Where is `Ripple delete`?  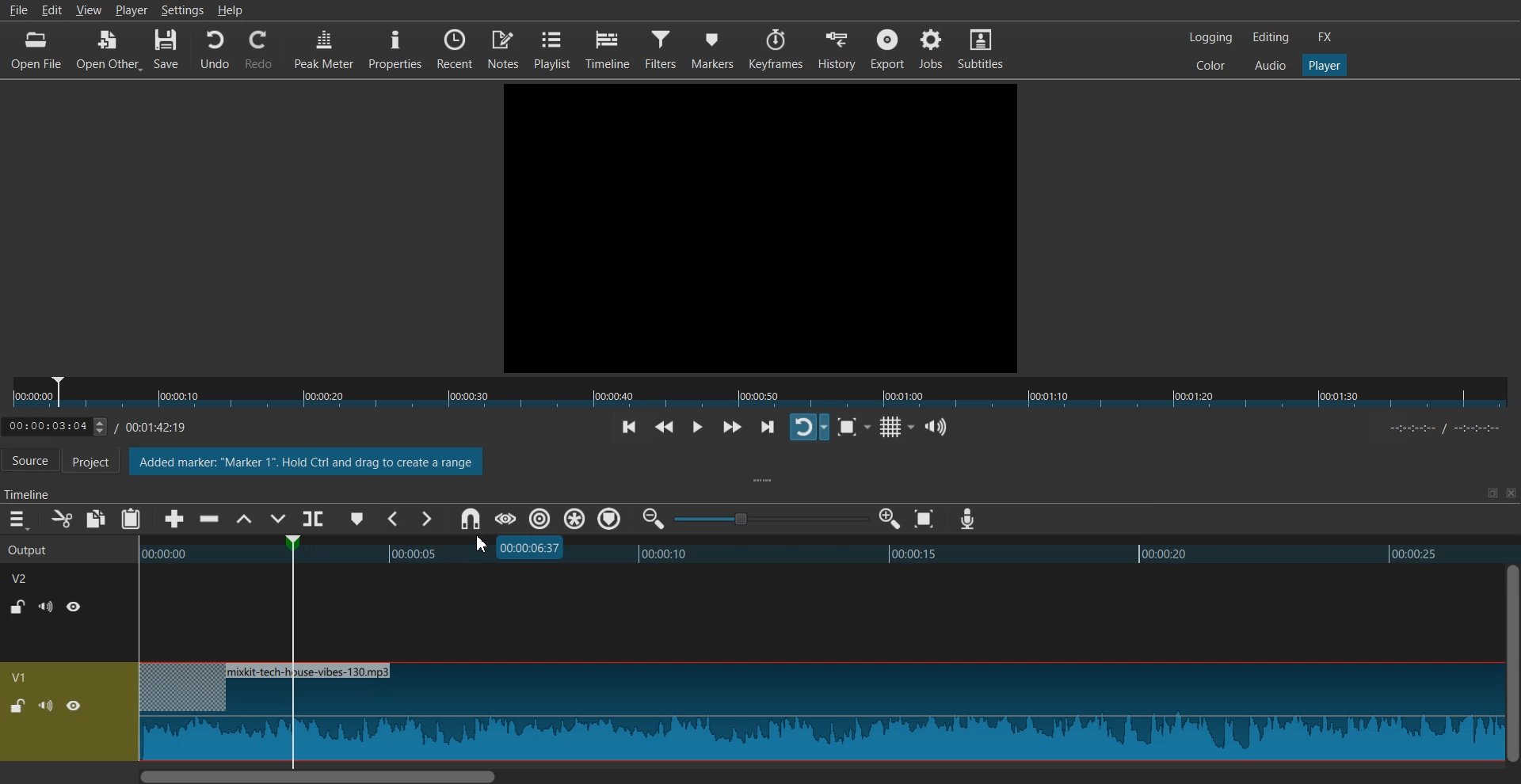
Ripple delete is located at coordinates (210, 519).